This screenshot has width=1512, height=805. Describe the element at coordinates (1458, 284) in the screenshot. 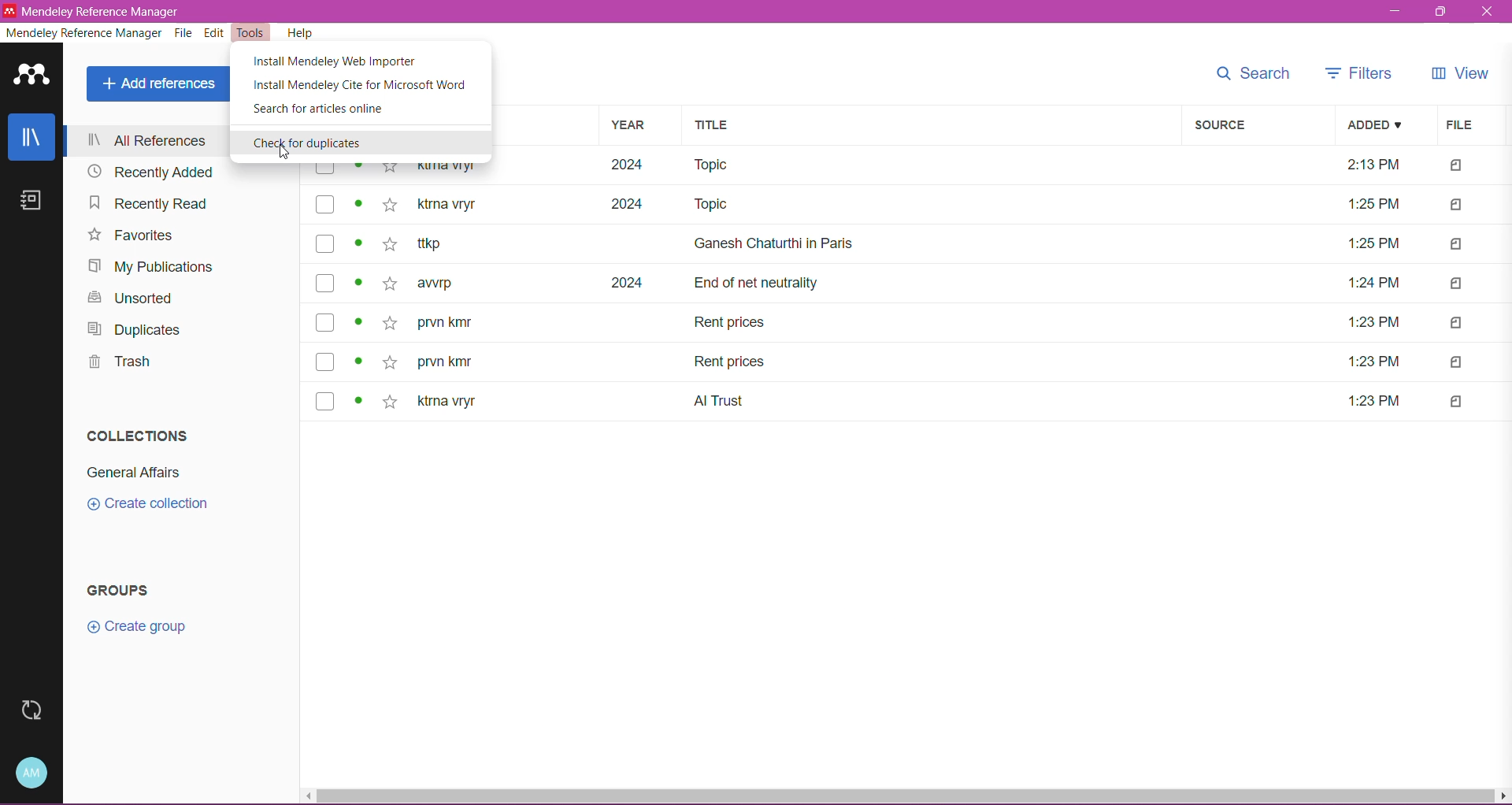

I see `file` at that location.